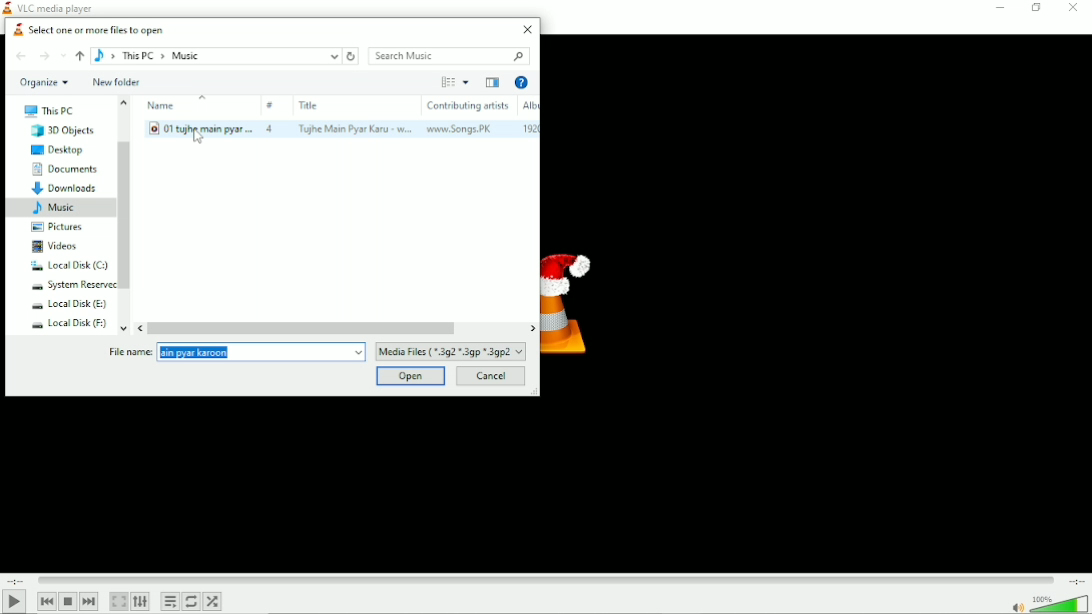  Describe the element at coordinates (448, 82) in the screenshot. I see `Change your view` at that location.